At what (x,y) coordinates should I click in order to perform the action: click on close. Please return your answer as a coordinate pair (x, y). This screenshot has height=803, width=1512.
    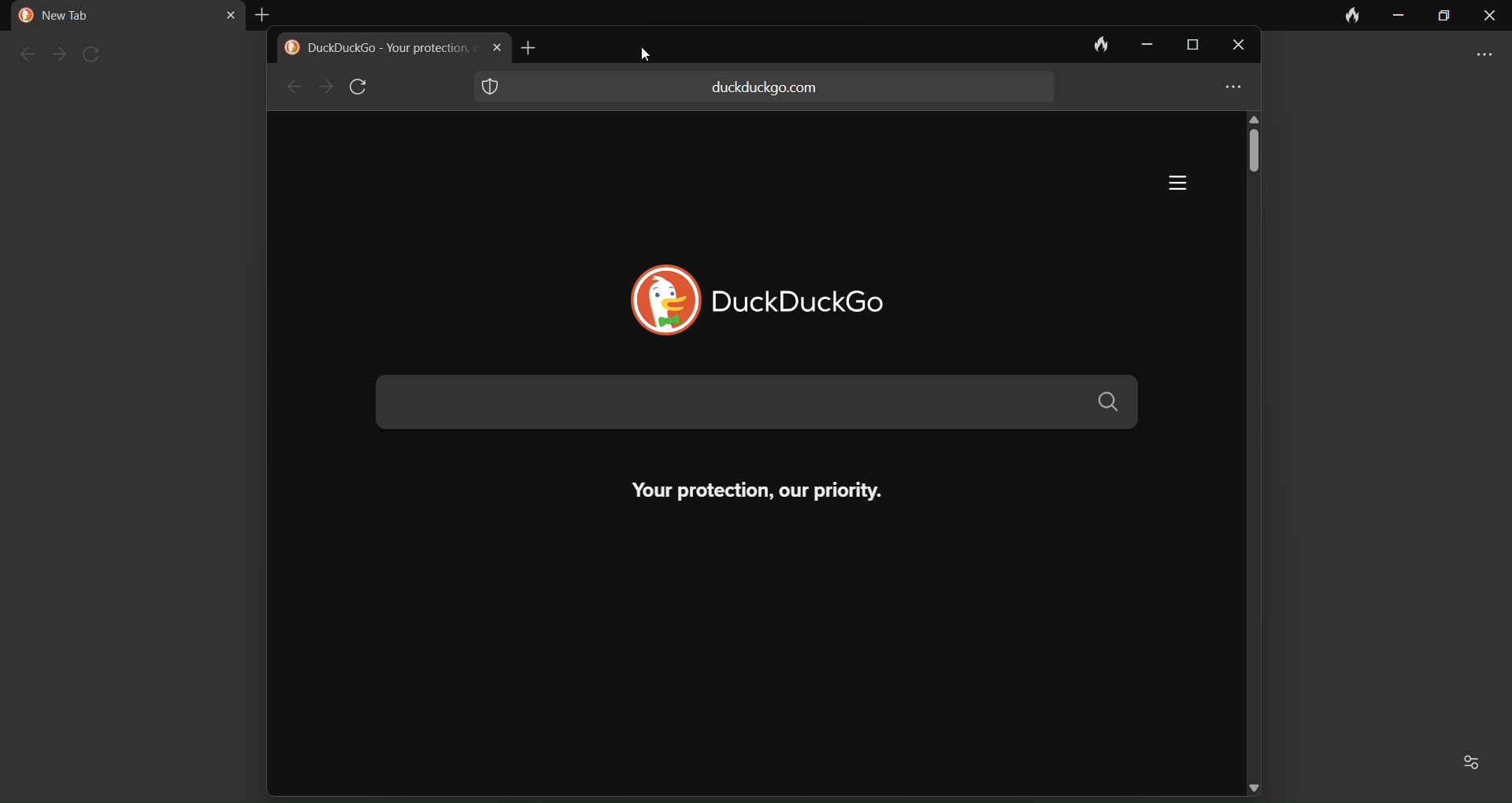
    Looking at the image, I should click on (1234, 52).